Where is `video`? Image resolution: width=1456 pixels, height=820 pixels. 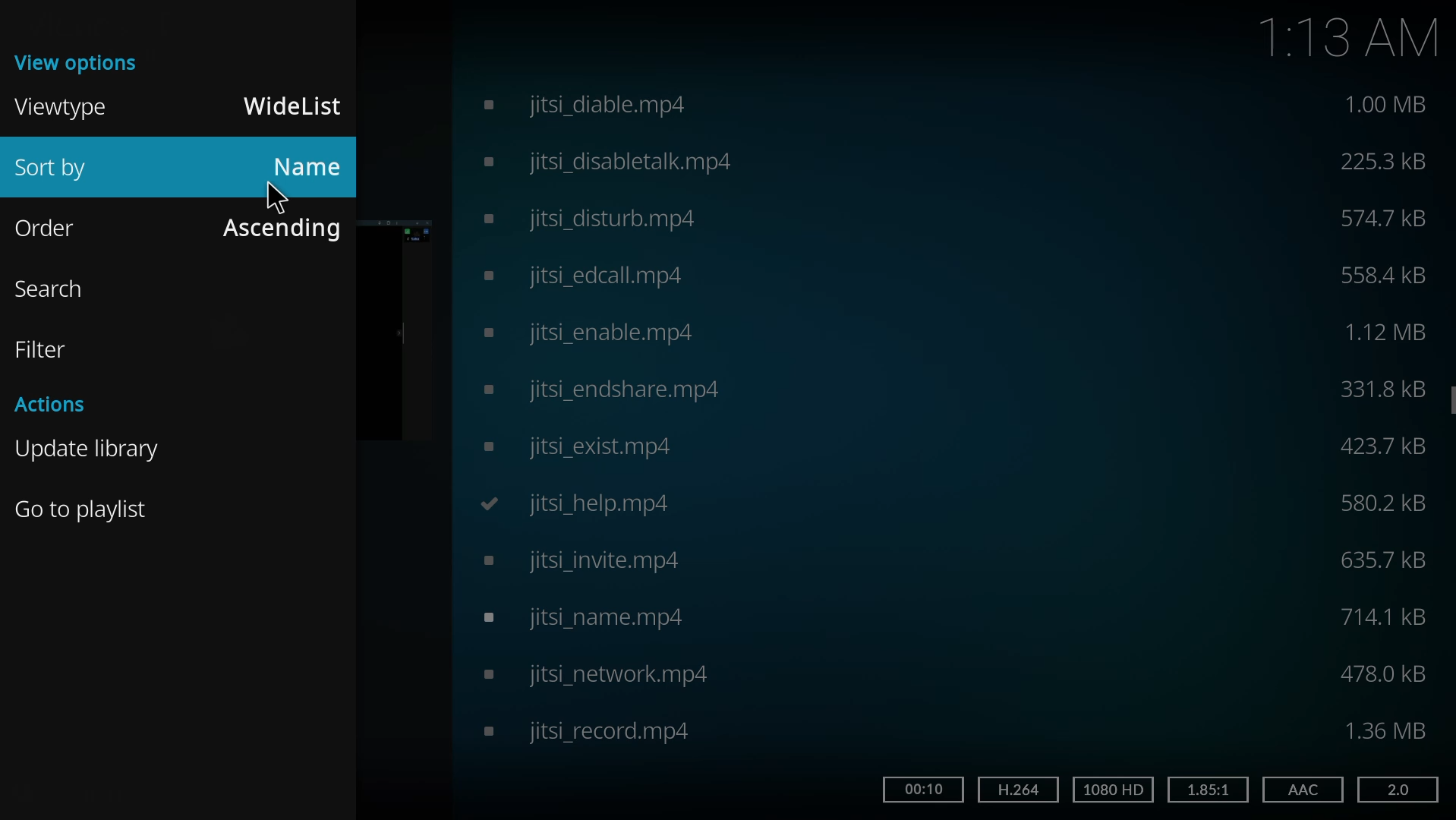
video is located at coordinates (568, 561).